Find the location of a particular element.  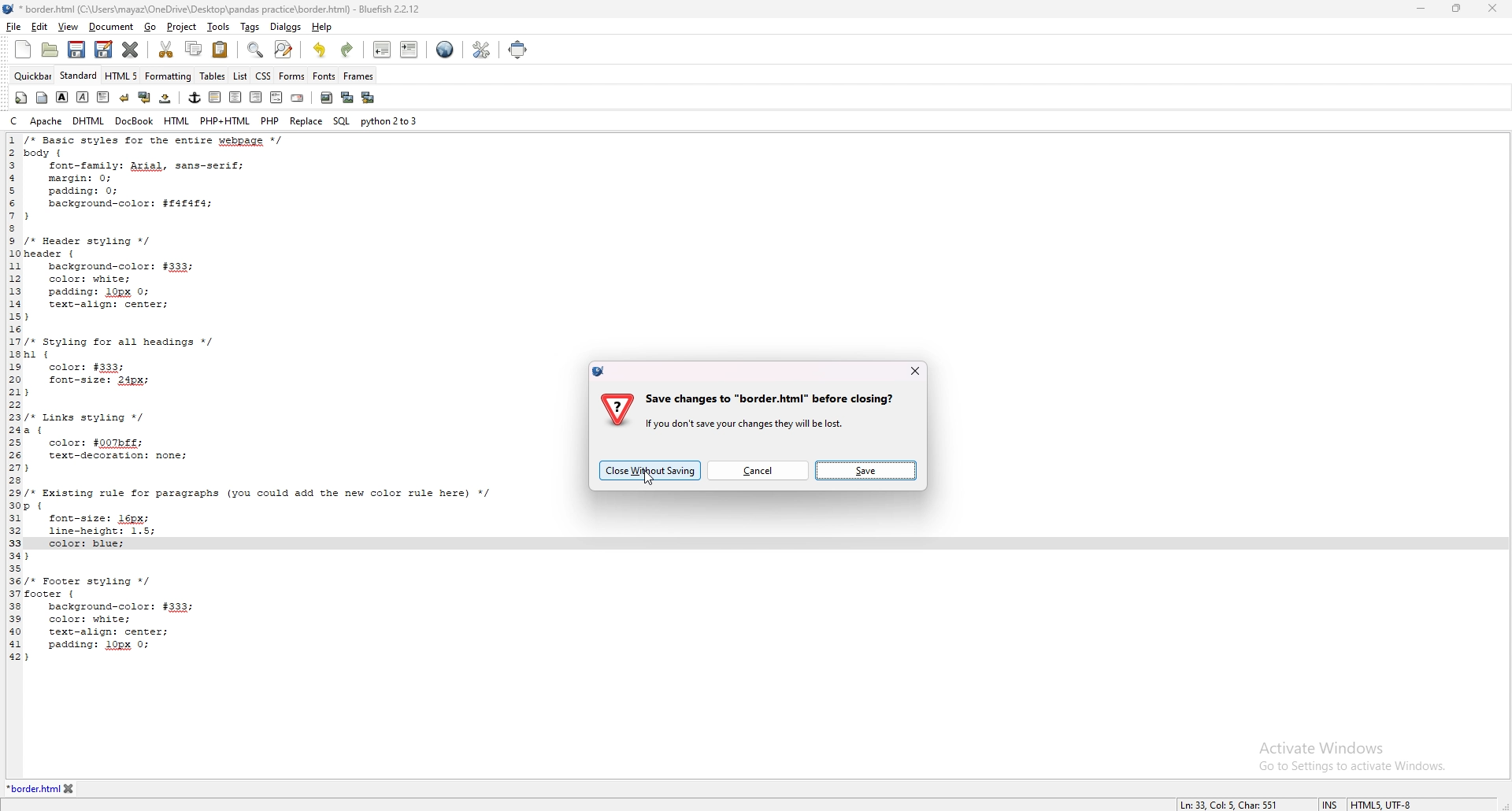

resize is located at coordinates (1456, 9).